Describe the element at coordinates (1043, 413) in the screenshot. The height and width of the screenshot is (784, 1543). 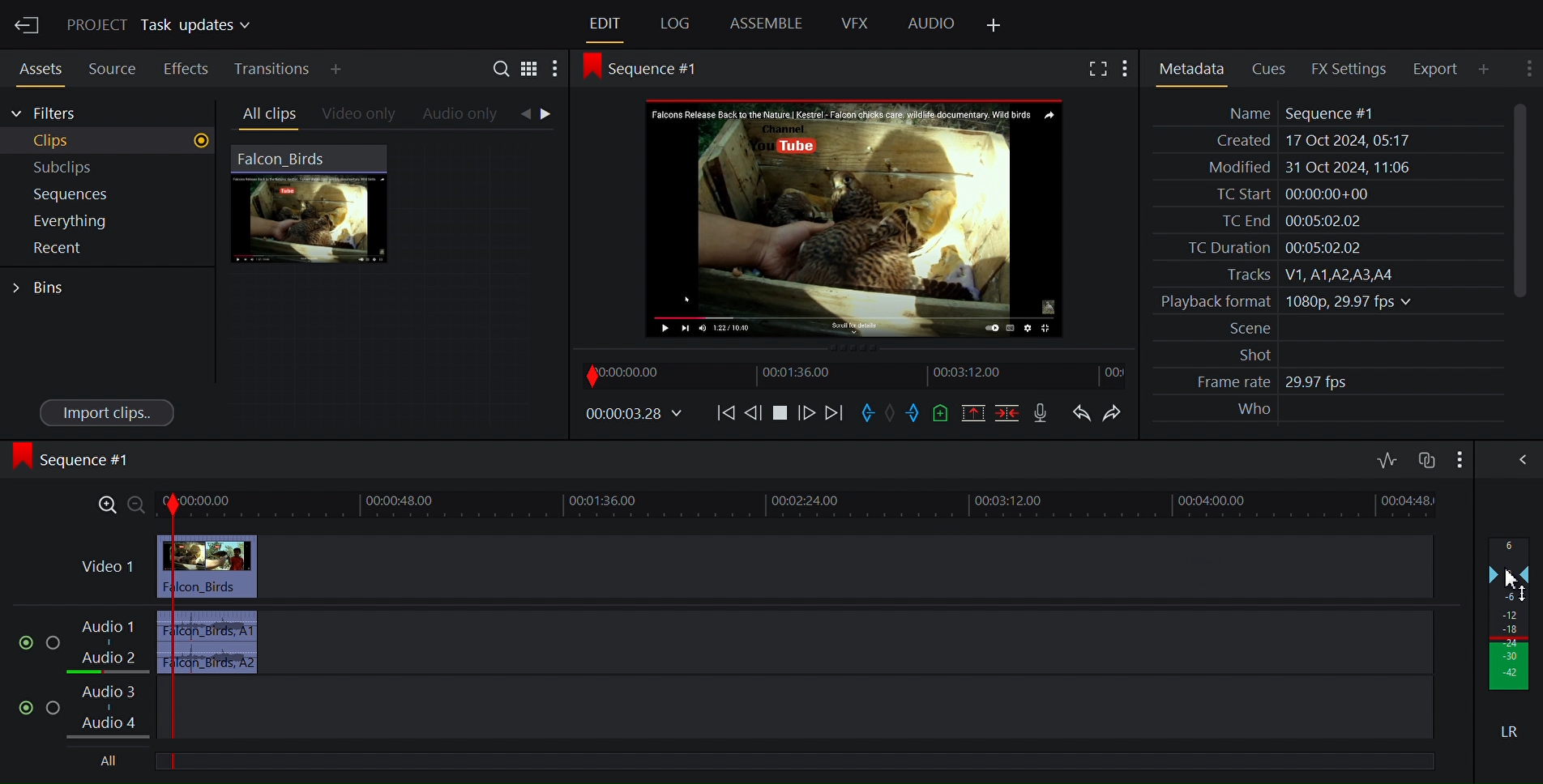
I see `Record voice over` at that location.